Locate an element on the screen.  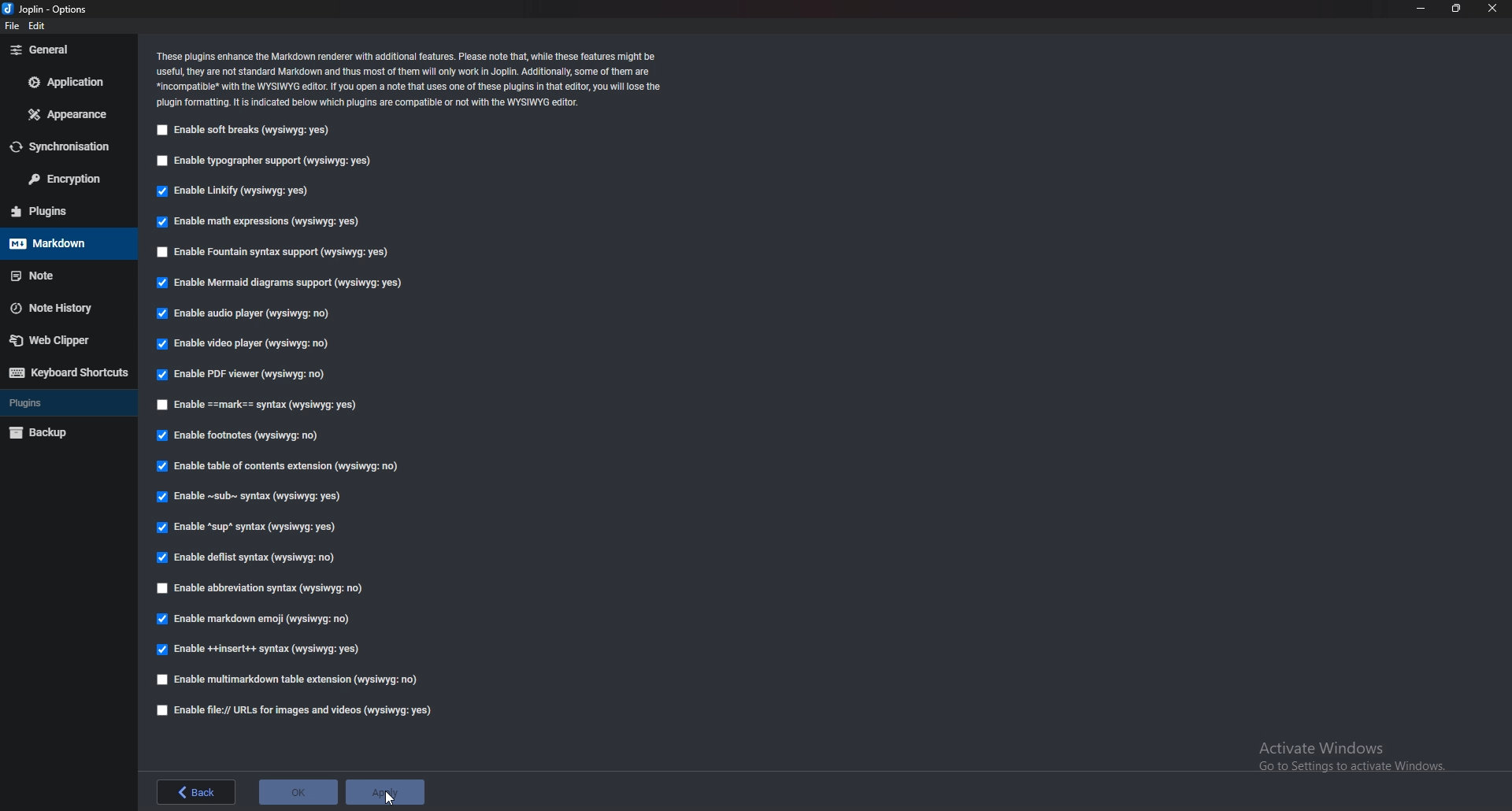
Application is located at coordinates (68, 82).